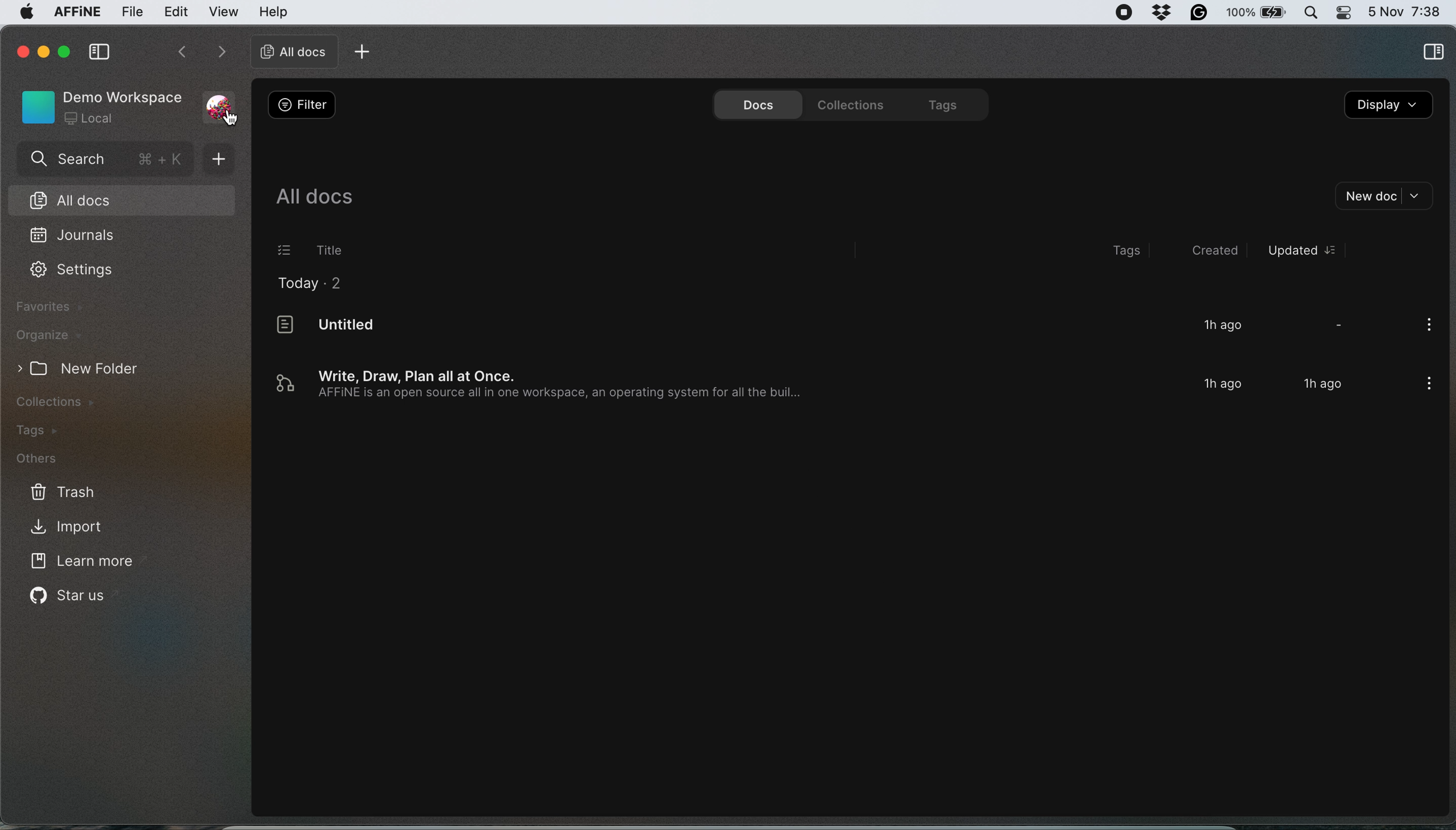 The image size is (1456, 830). What do you see at coordinates (75, 236) in the screenshot?
I see `journals` at bounding box center [75, 236].